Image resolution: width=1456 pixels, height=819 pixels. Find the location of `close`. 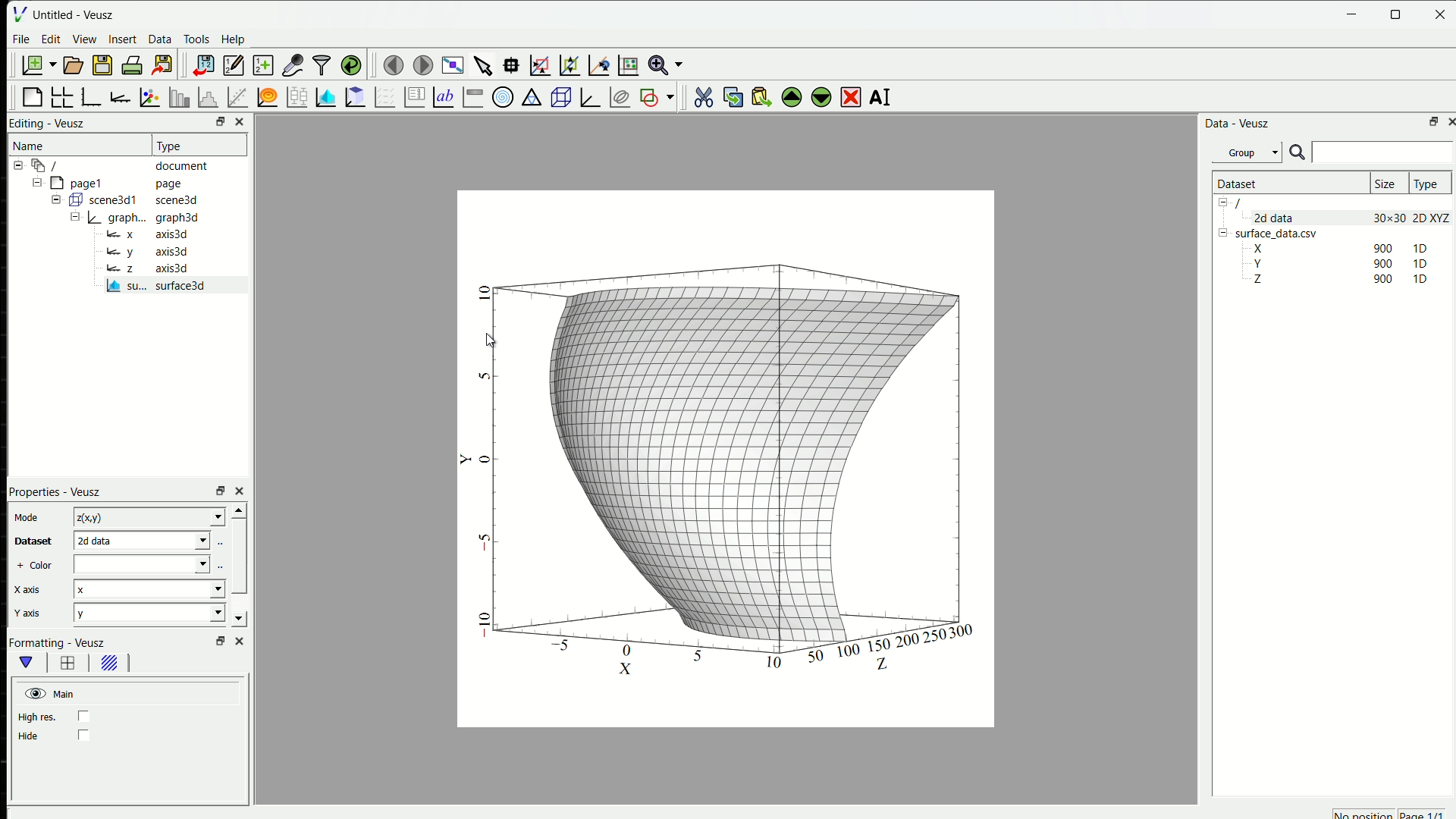

close is located at coordinates (240, 121).